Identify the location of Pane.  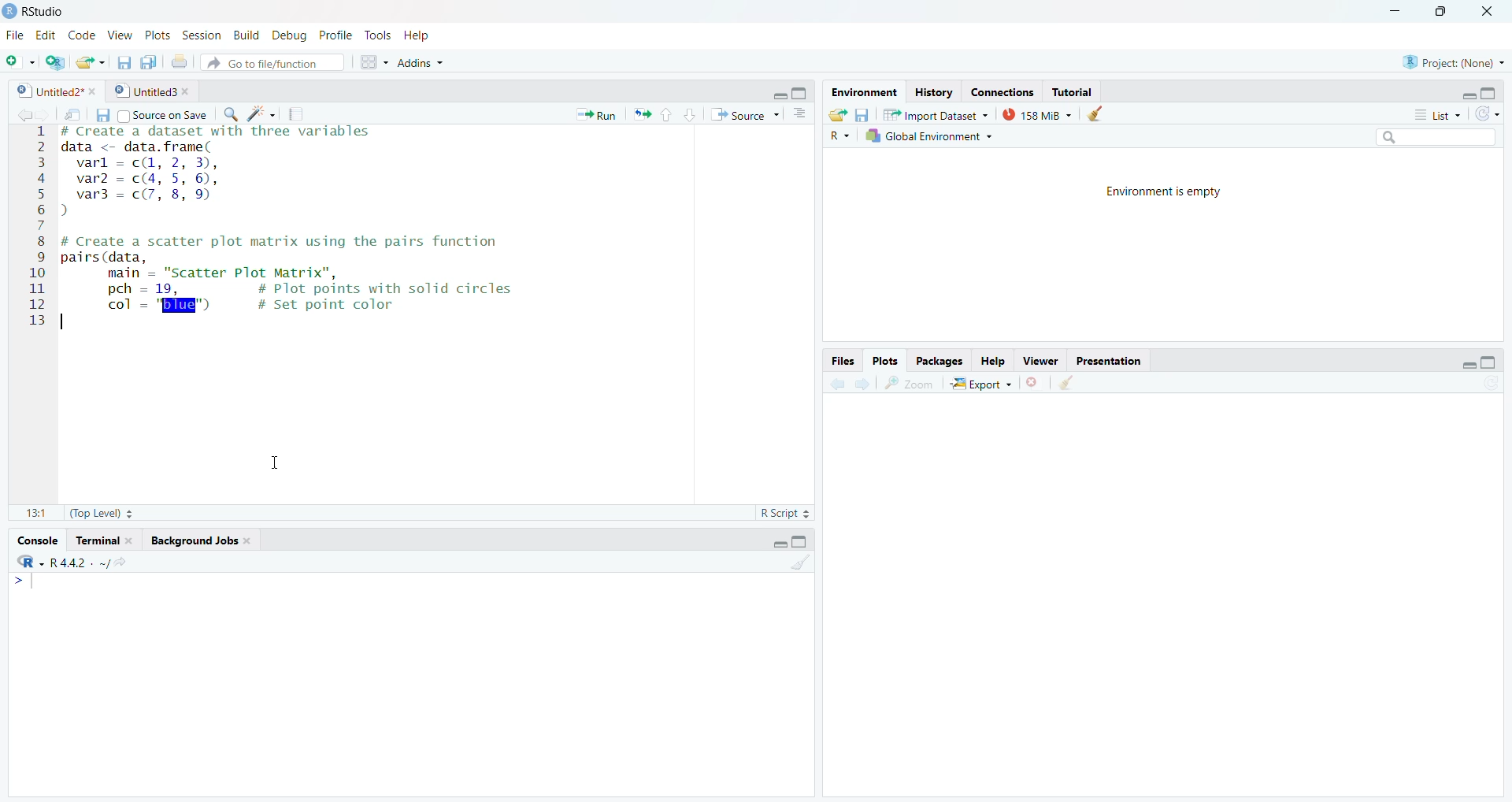
(1173, 602).